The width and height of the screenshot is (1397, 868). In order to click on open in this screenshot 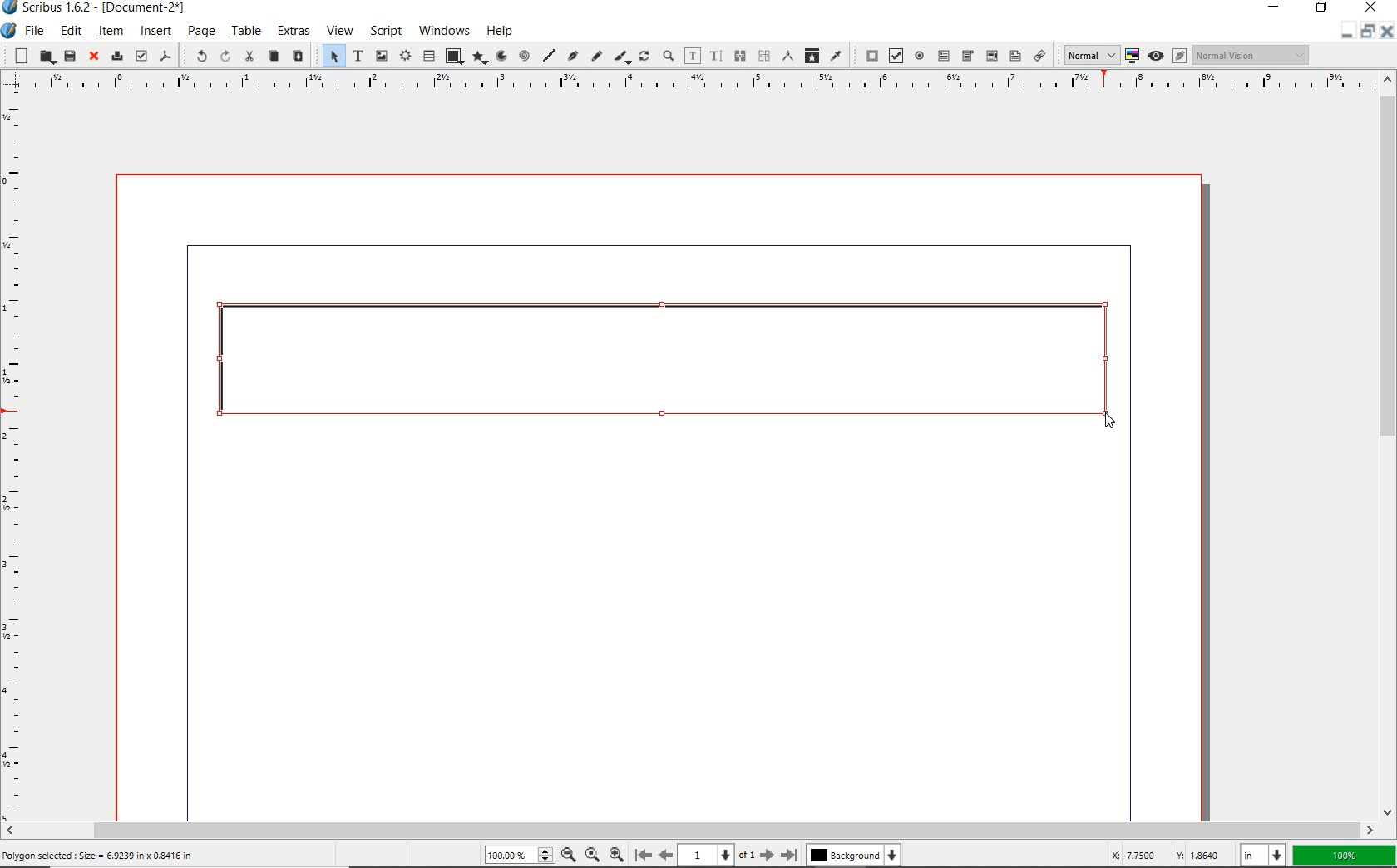, I will do `click(45, 57)`.